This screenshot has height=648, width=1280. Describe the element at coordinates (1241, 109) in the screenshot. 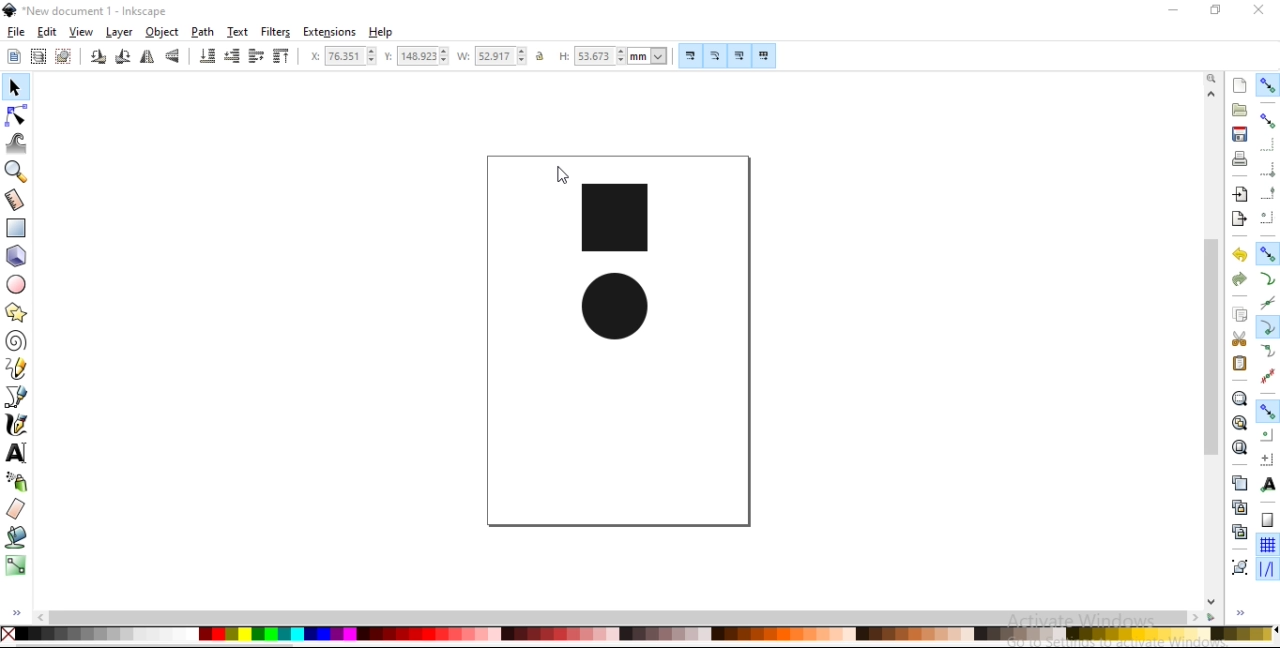

I see `open a existing document` at that location.